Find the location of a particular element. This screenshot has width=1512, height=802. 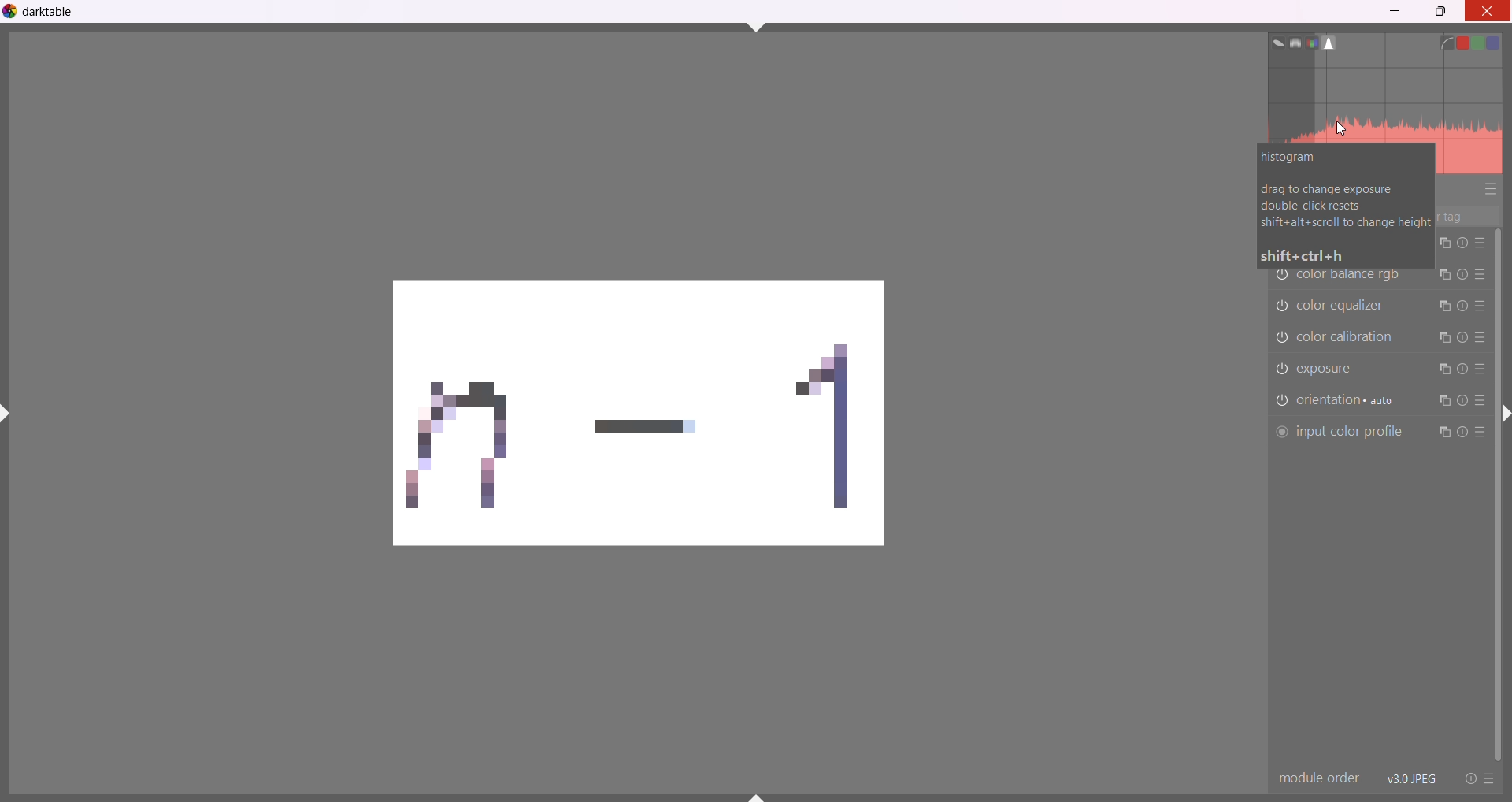

instance is located at coordinates (1443, 306).